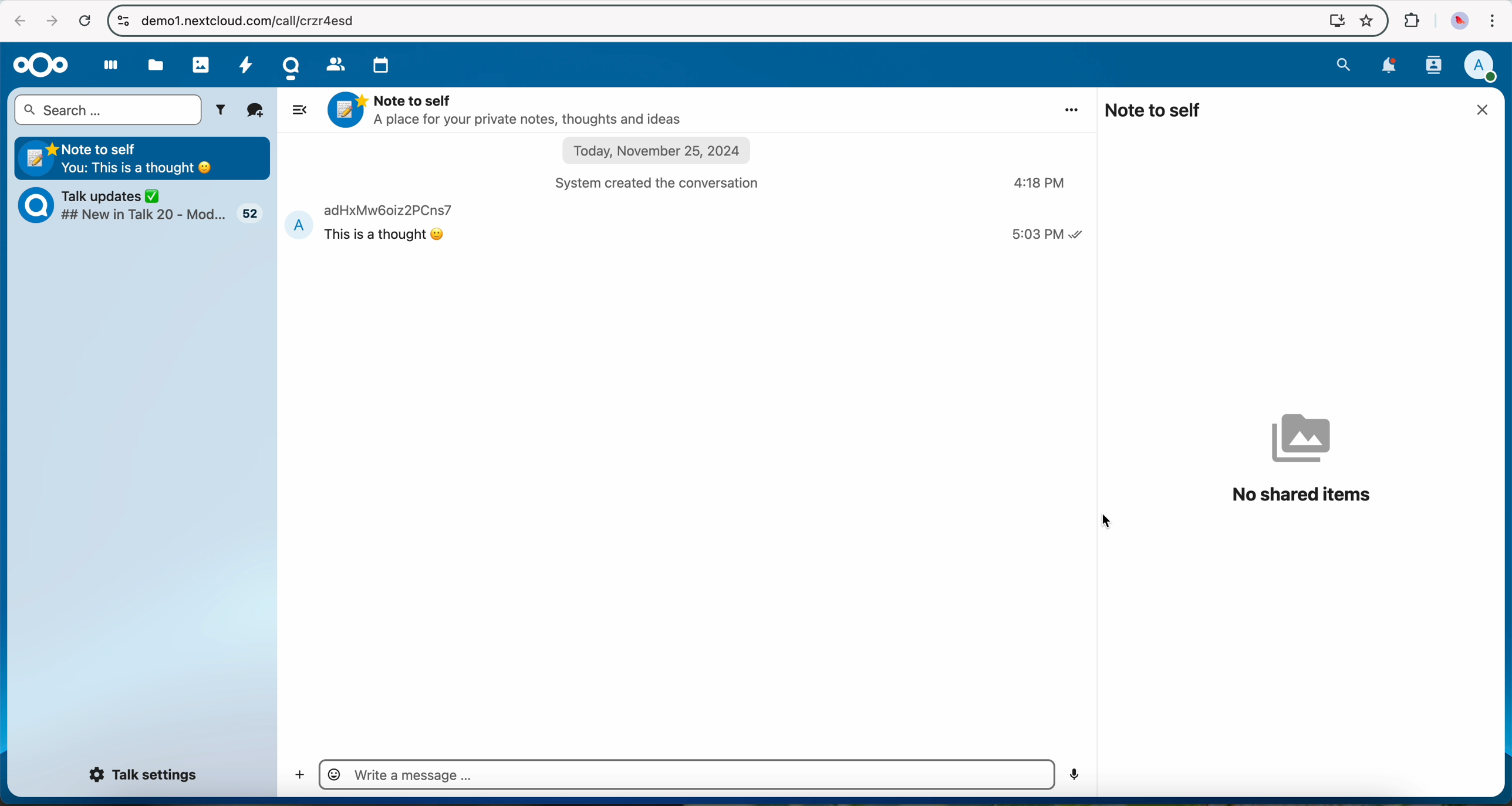  I want to click on system created the conversation, so click(666, 182).